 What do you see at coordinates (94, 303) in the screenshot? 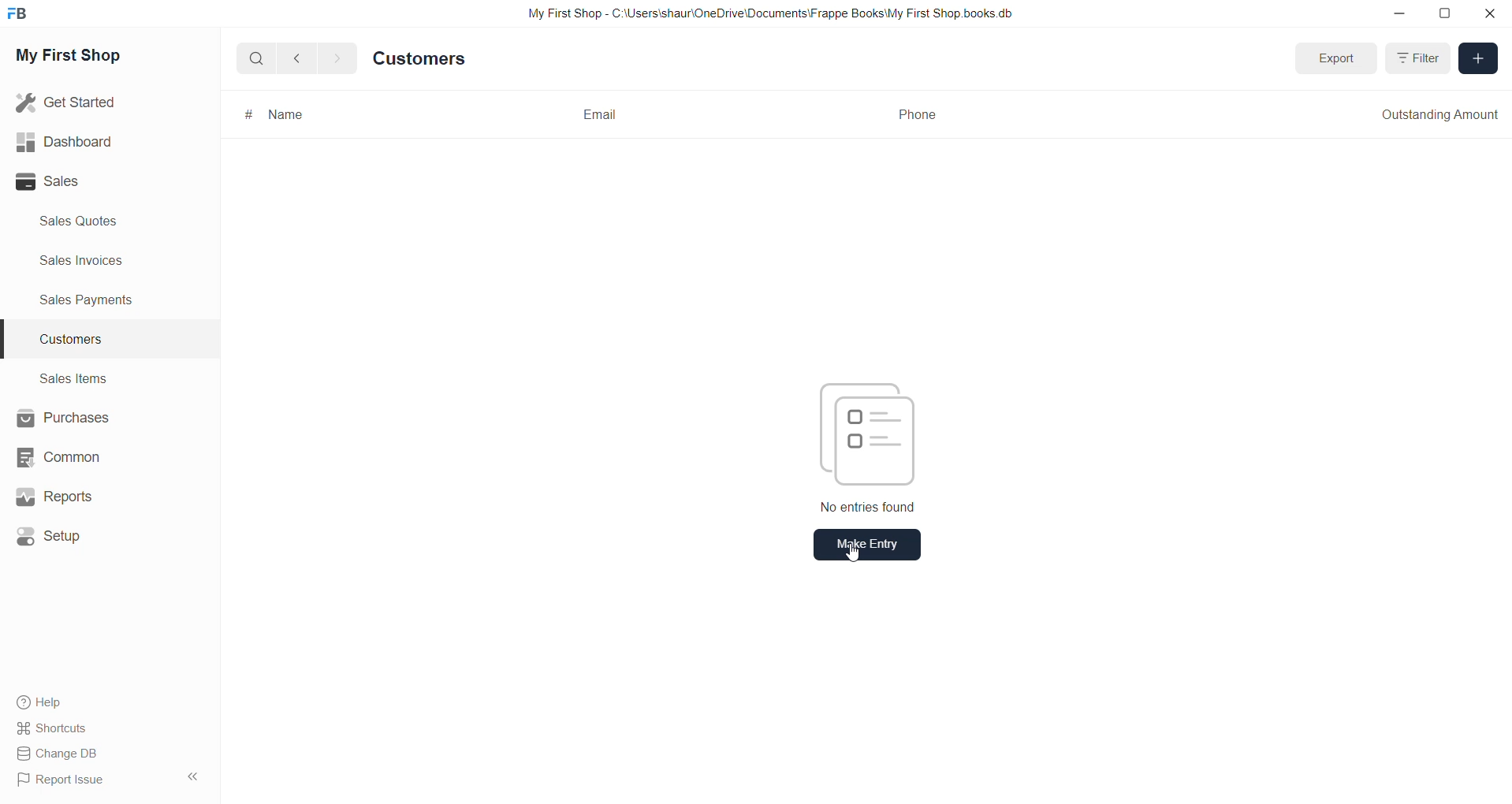
I see `sales payments` at bounding box center [94, 303].